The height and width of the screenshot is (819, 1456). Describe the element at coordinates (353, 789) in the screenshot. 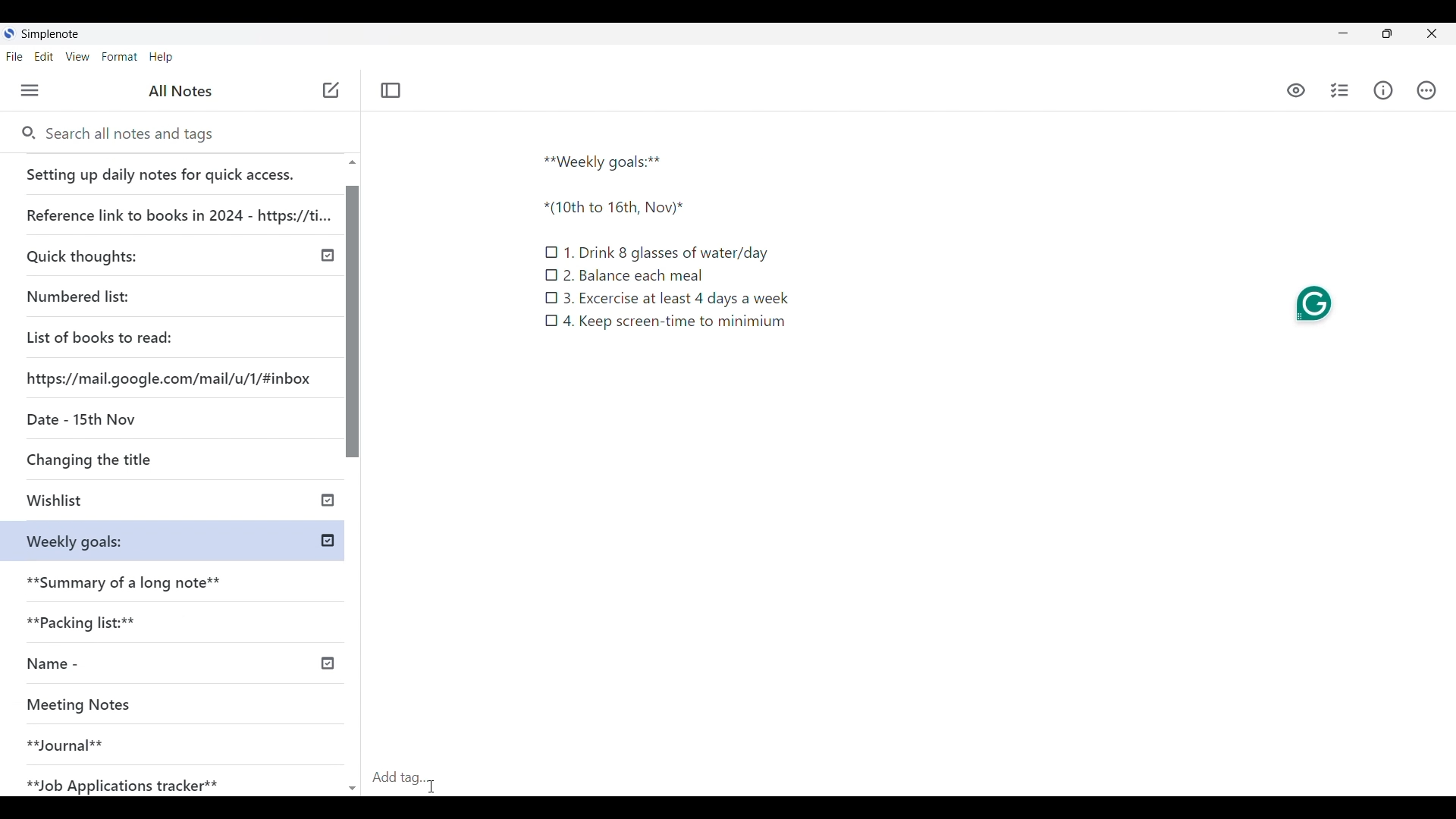

I see `Quick slide to top` at that location.